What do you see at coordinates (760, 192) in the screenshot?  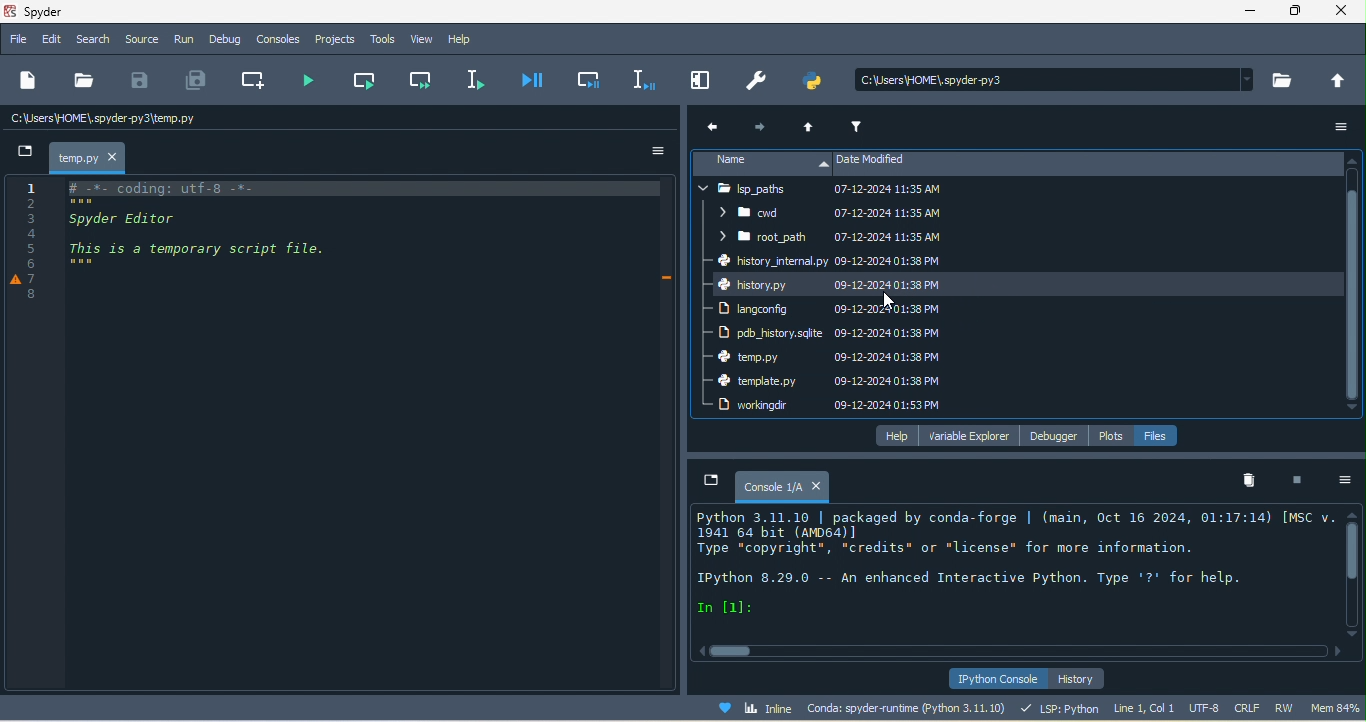 I see `lsp paths` at bounding box center [760, 192].